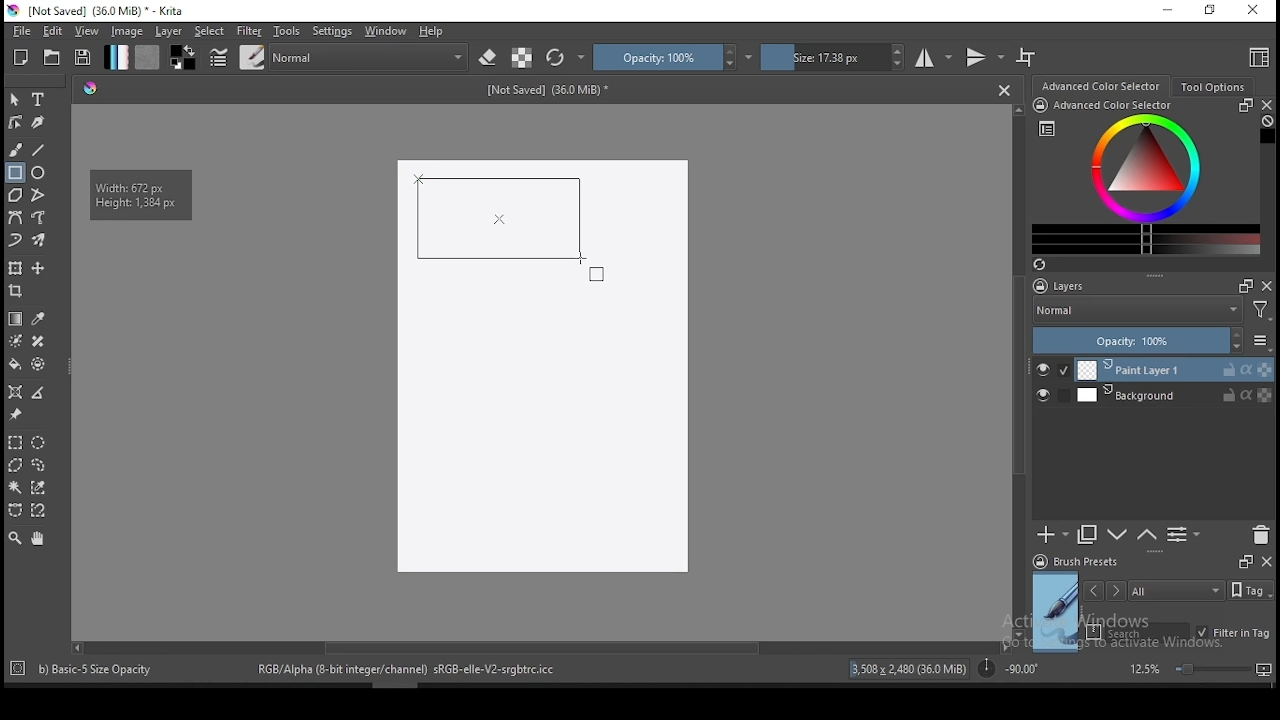  Describe the element at coordinates (39, 394) in the screenshot. I see `measure distance between two points` at that location.